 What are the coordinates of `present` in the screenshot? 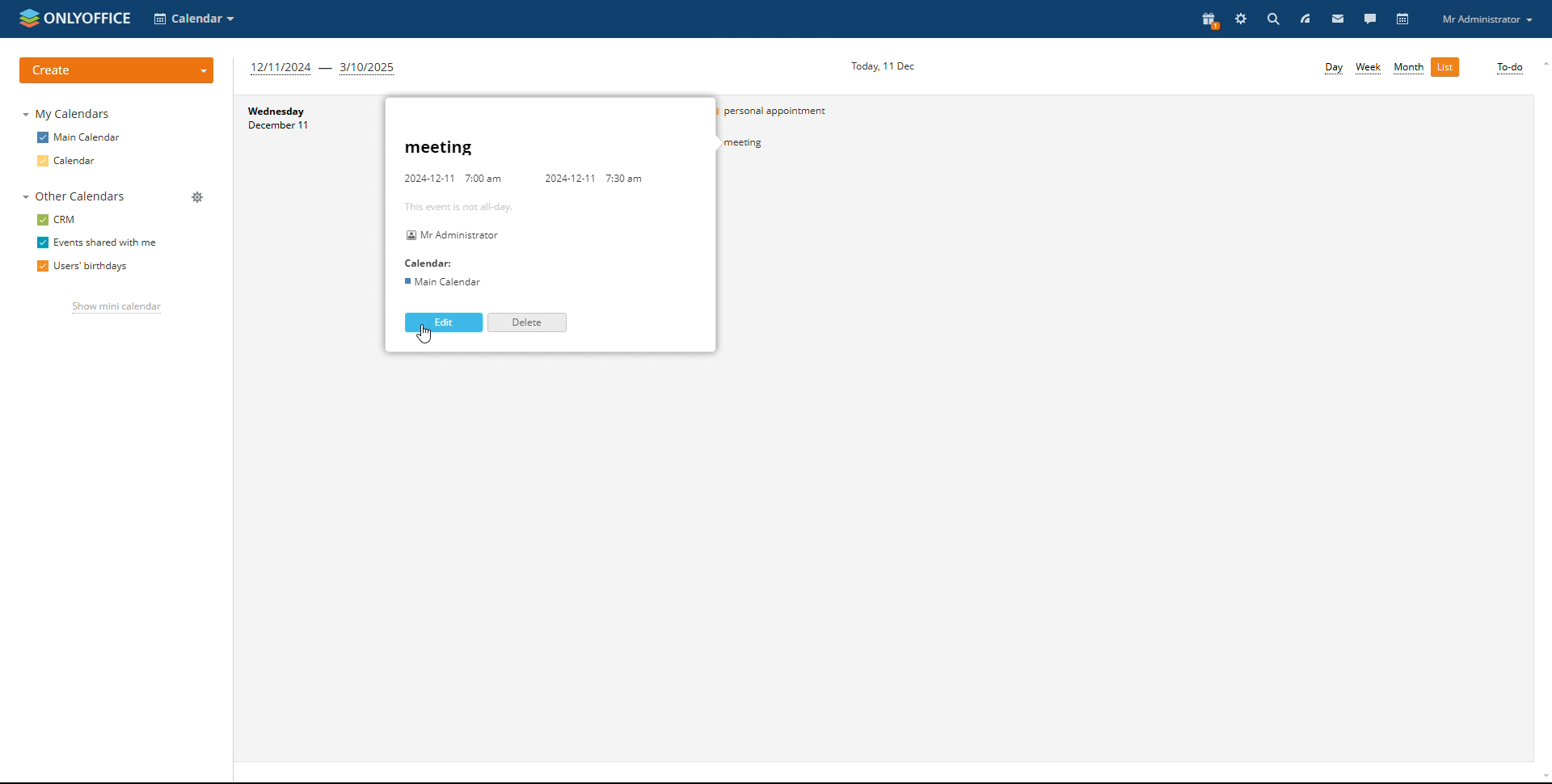 It's located at (1209, 19).